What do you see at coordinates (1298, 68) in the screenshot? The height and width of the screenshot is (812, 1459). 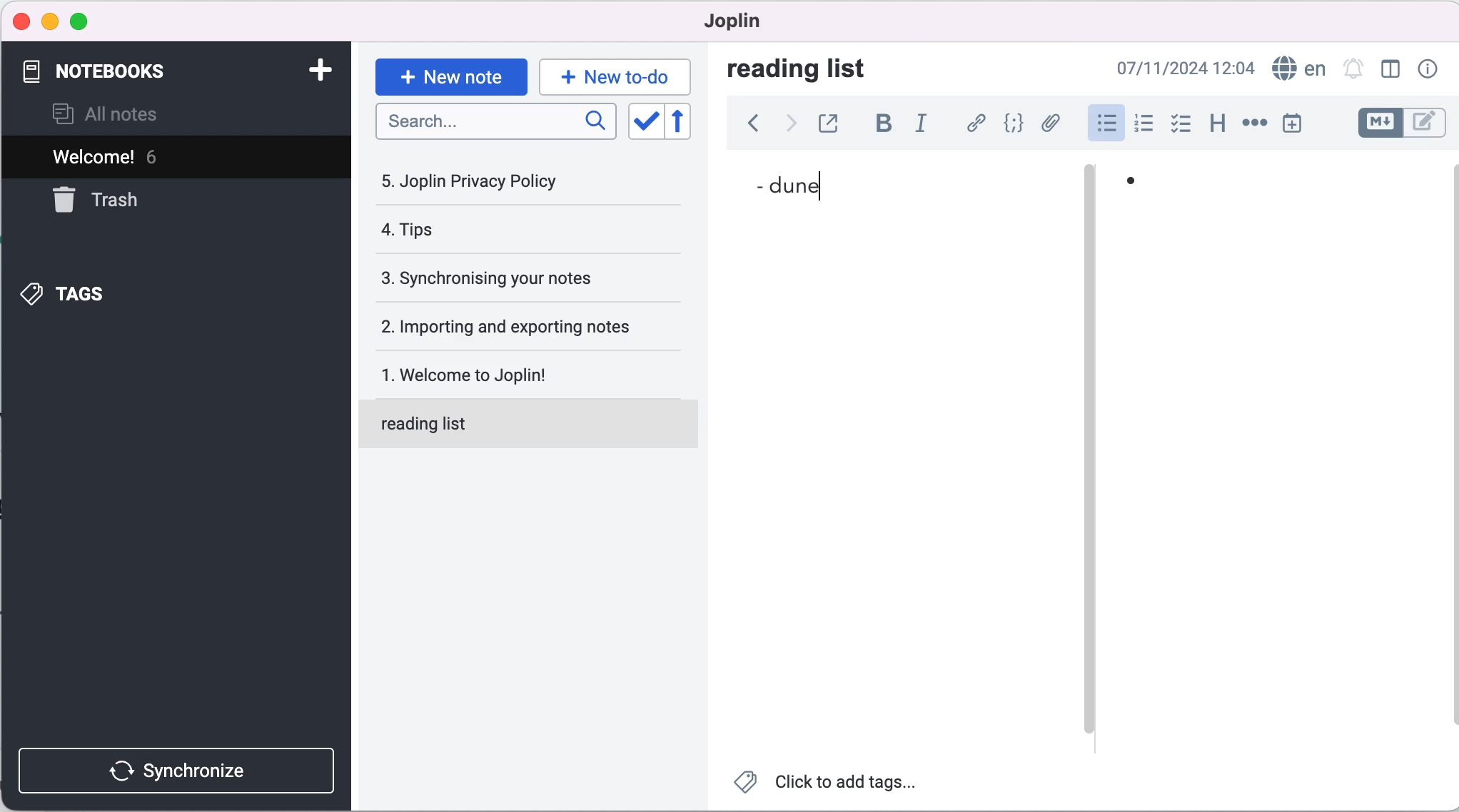 I see `language` at bounding box center [1298, 68].